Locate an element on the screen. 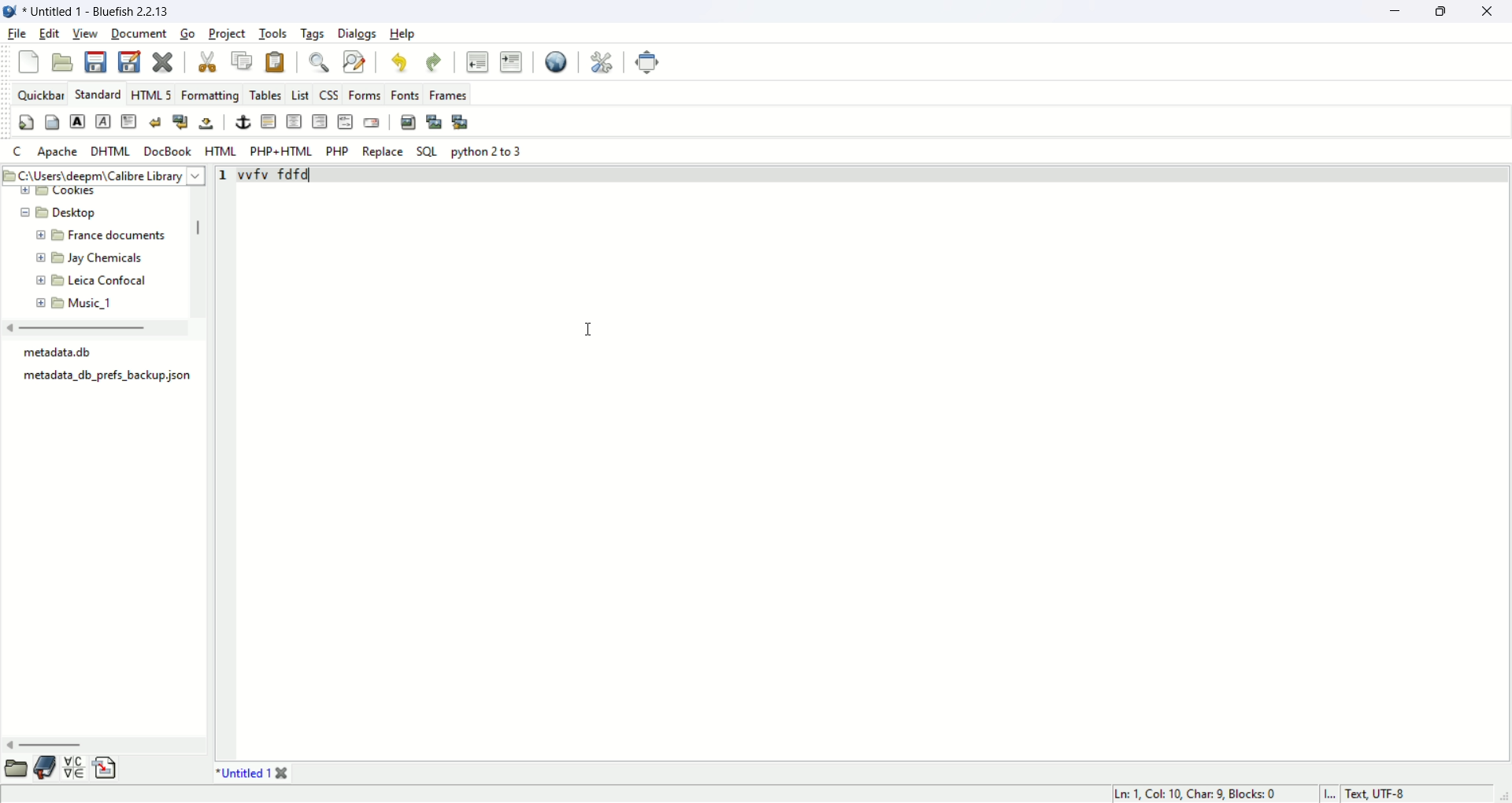 This screenshot has height=803, width=1512. horizontal rule is located at coordinates (270, 122).